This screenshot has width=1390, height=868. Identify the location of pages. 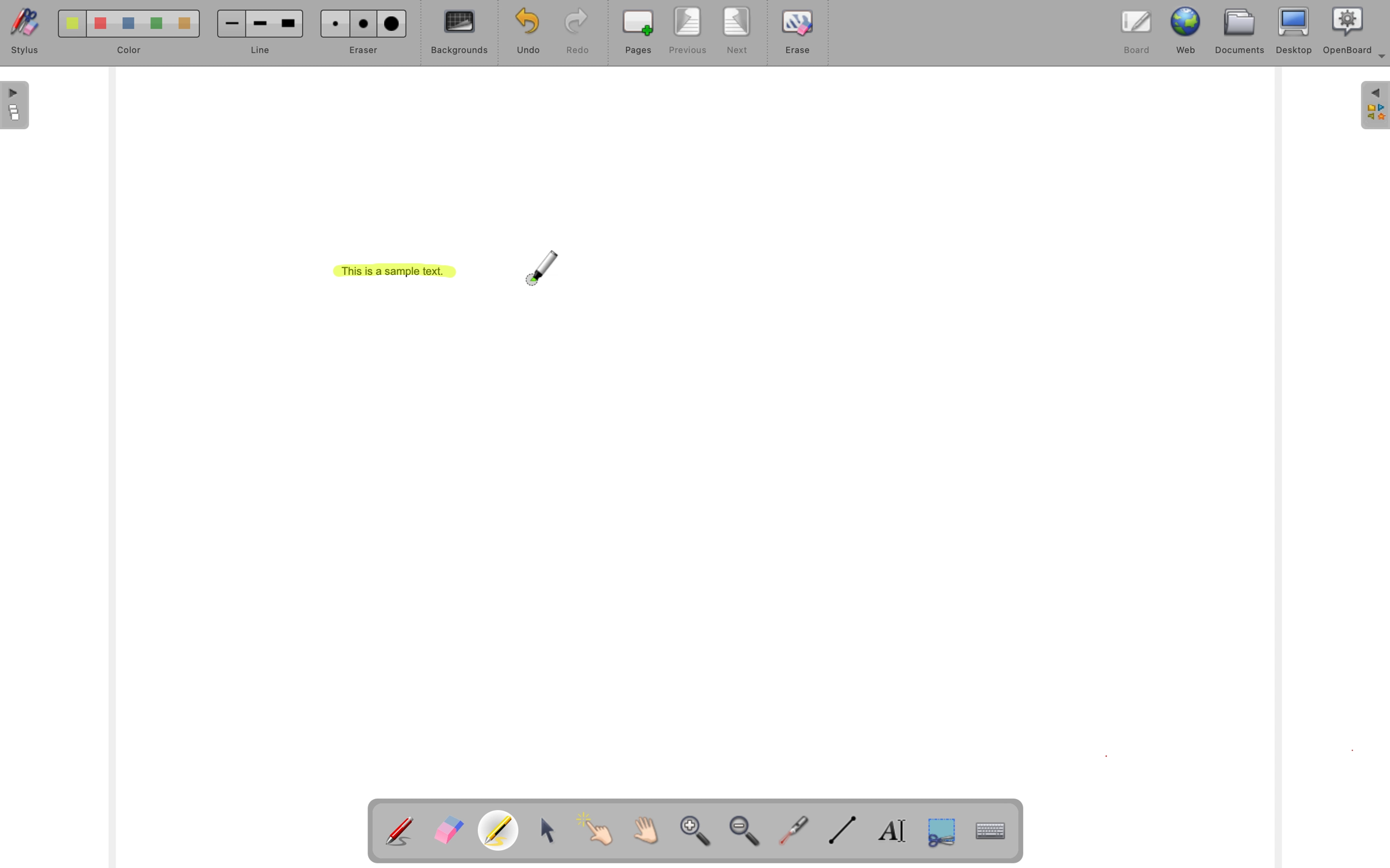
(635, 32).